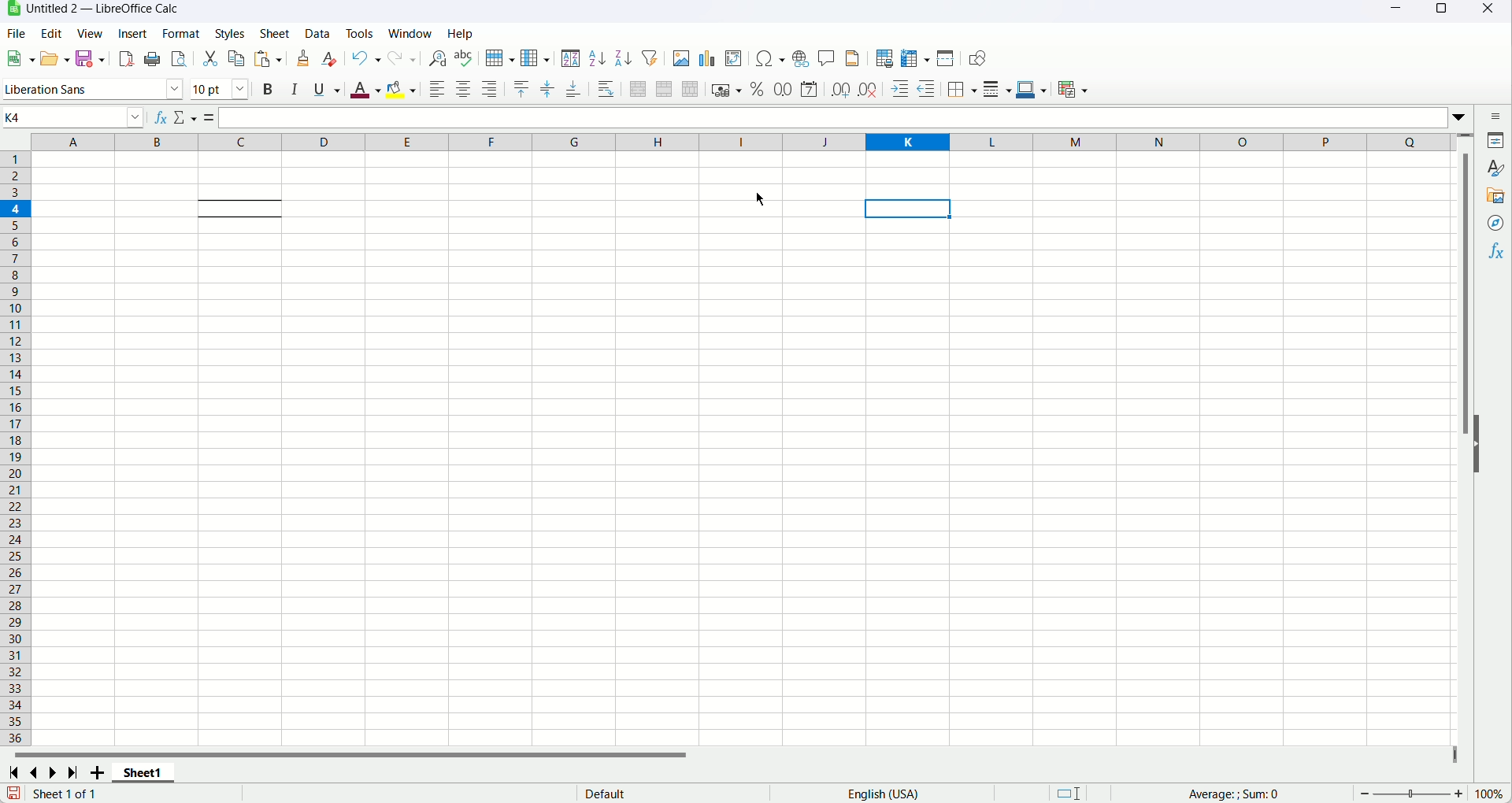 This screenshot has width=1512, height=803. I want to click on Horizontal scroll bar, so click(731, 757).